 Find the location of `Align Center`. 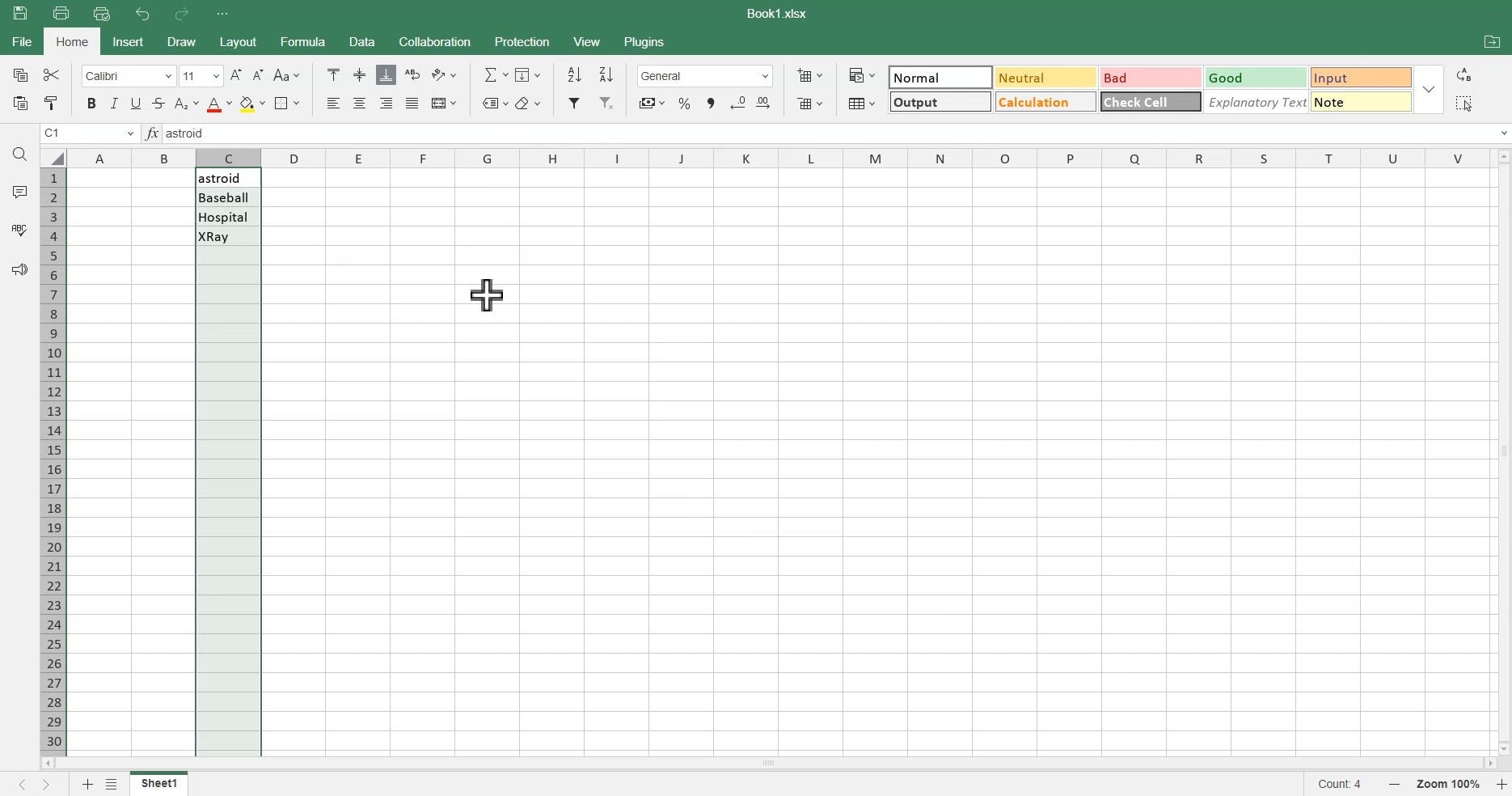

Align Center is located at coordinates (361, 103).